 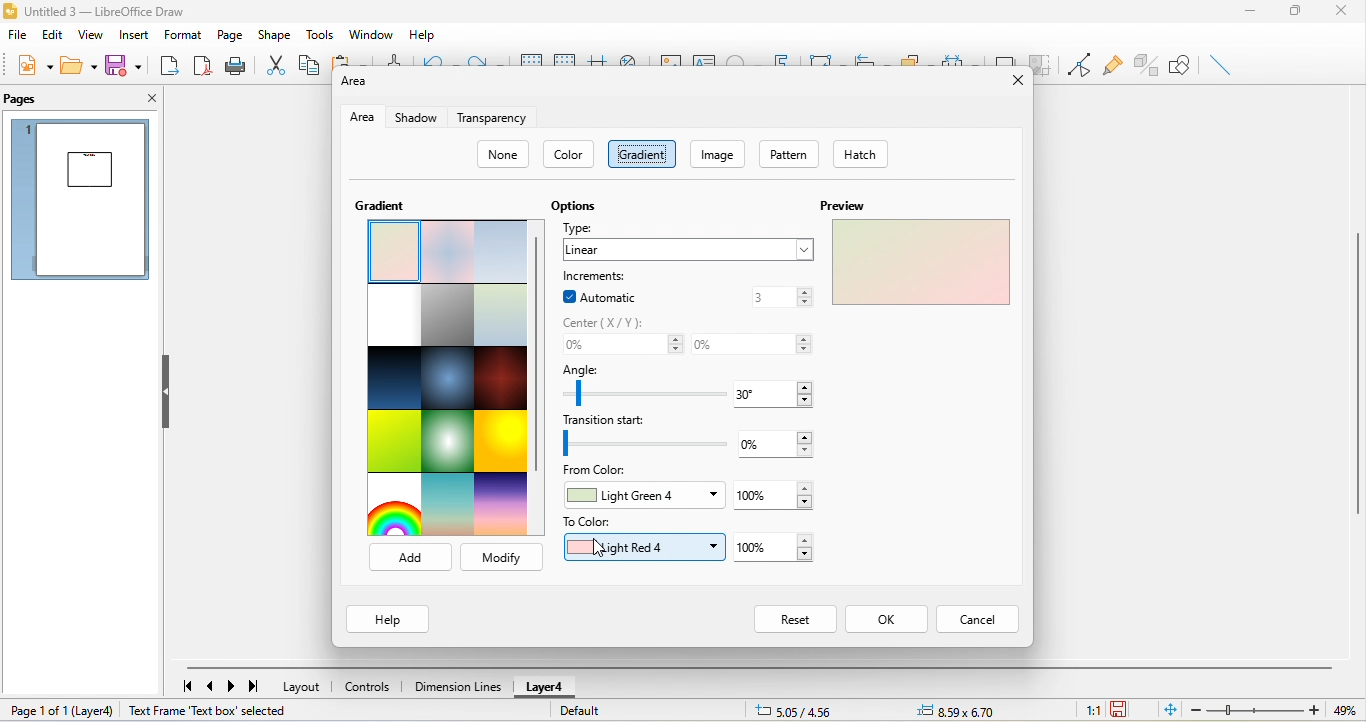 I want to click on mahogany, so click(x=503, y=379).